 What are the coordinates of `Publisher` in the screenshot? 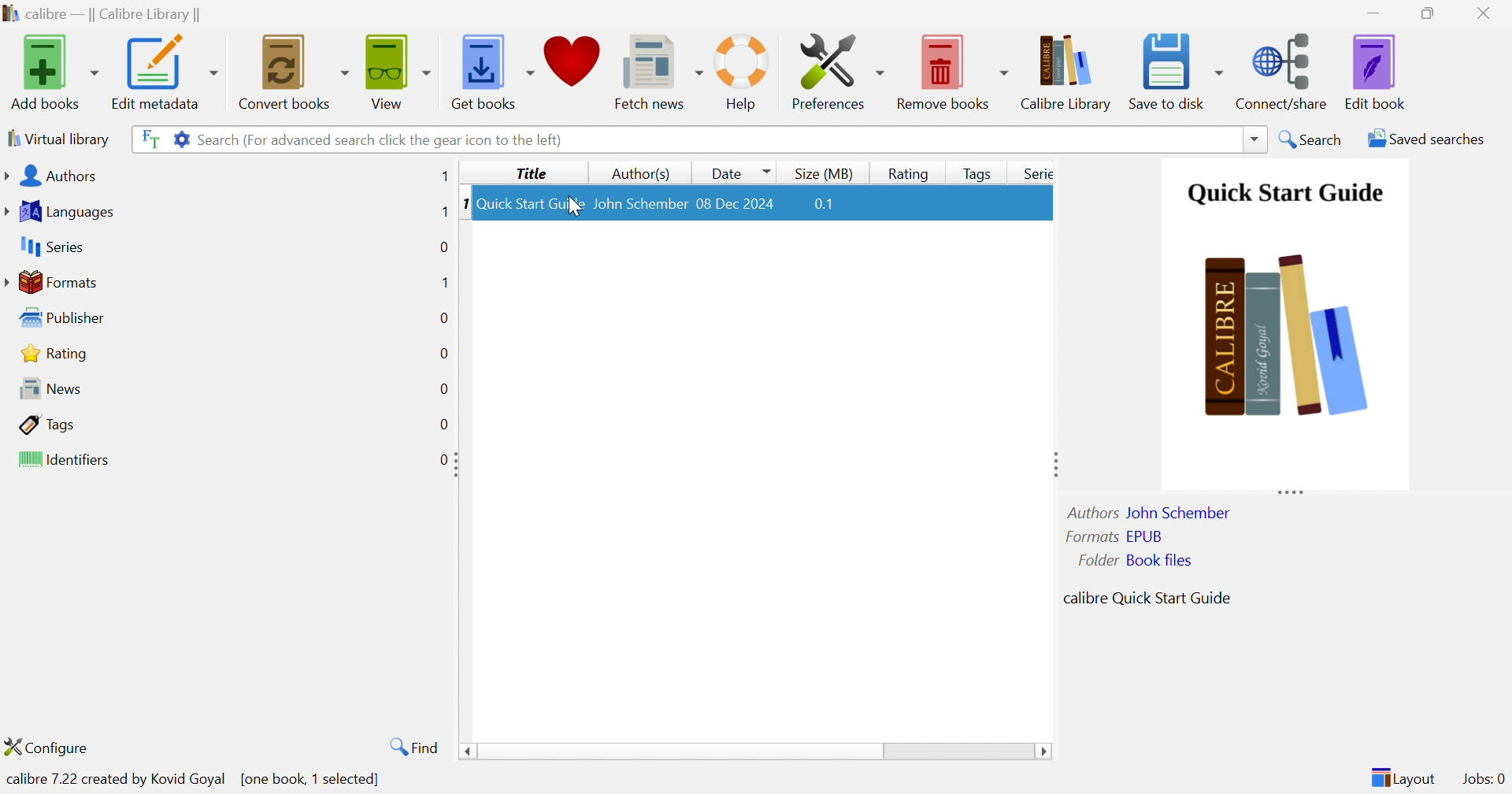 It's located at (60, 316).